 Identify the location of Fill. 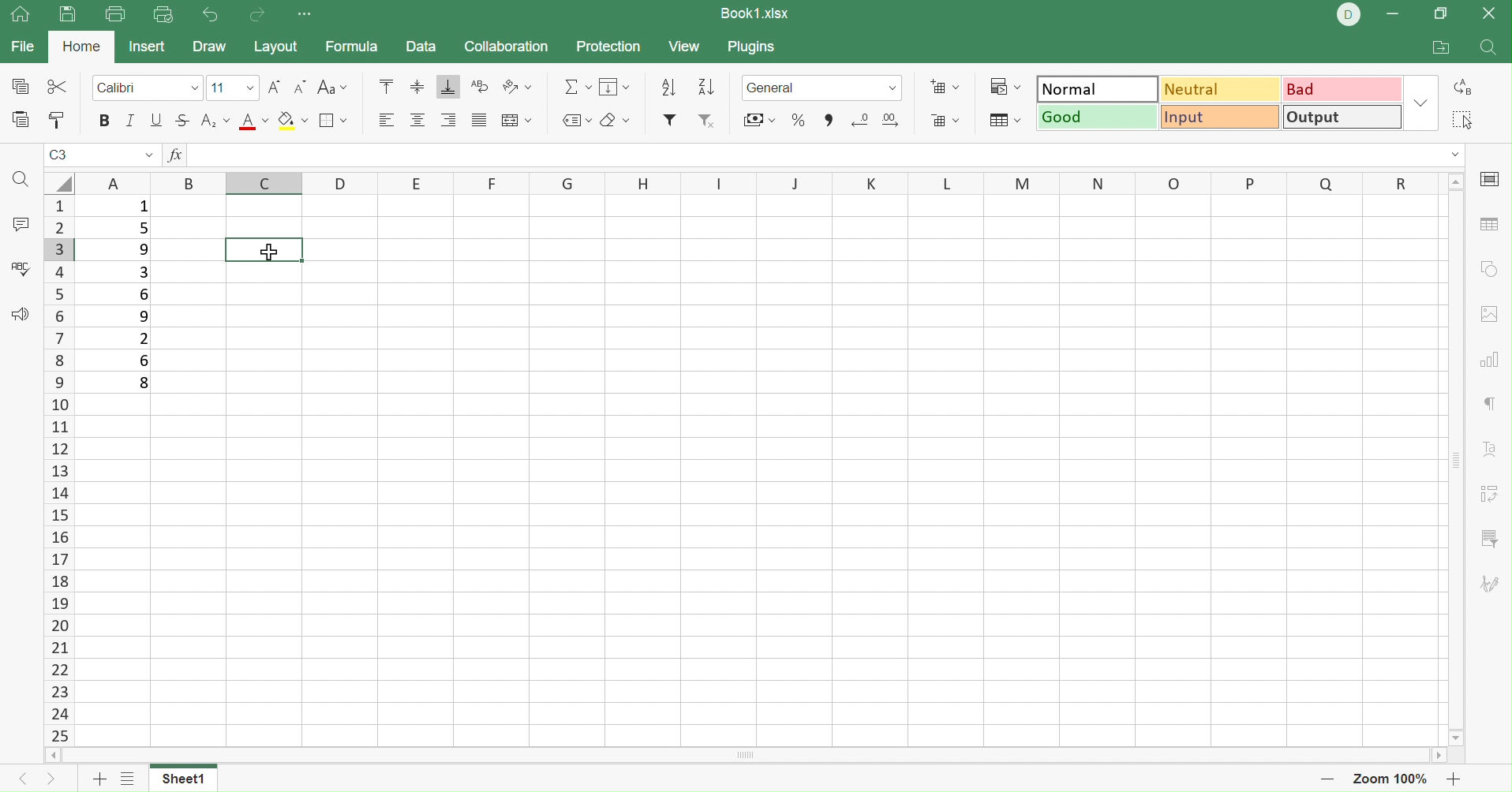
(615, 86).